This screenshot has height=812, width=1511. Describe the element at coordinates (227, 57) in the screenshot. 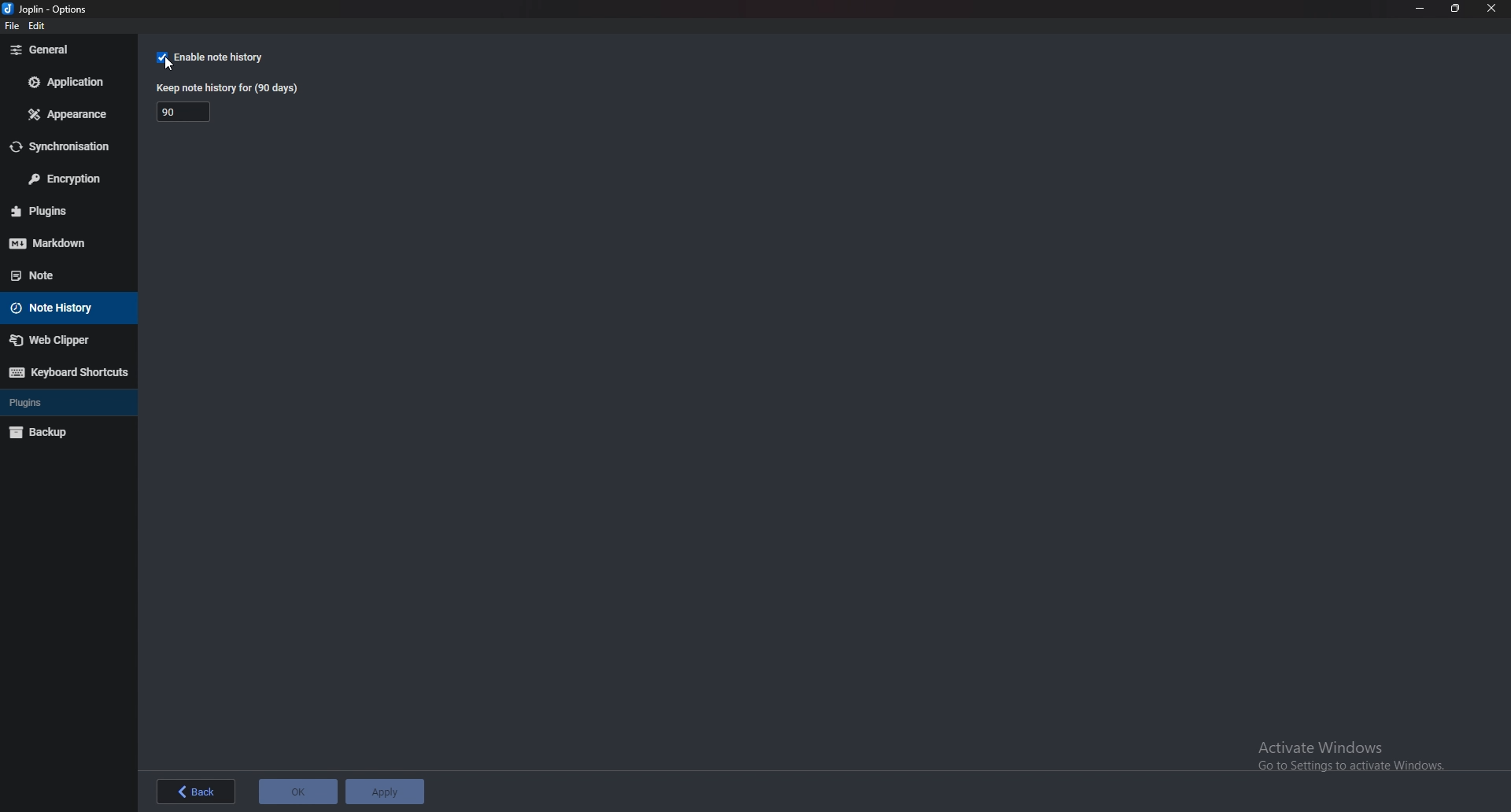

I see `Enable note history` at that location.